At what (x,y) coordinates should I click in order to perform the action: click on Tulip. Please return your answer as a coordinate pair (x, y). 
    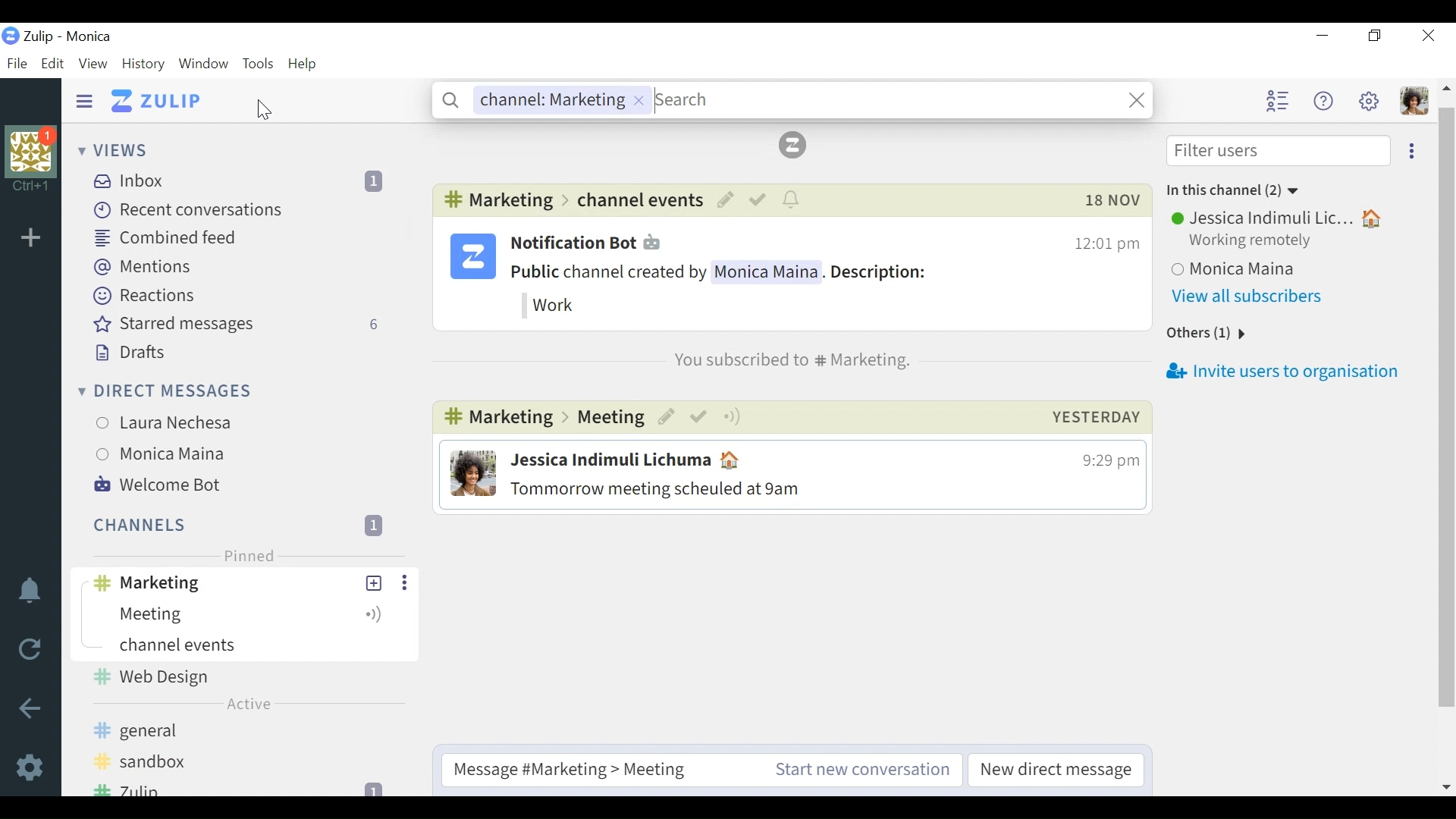
    Looking at the image, I should click on (90, 37).